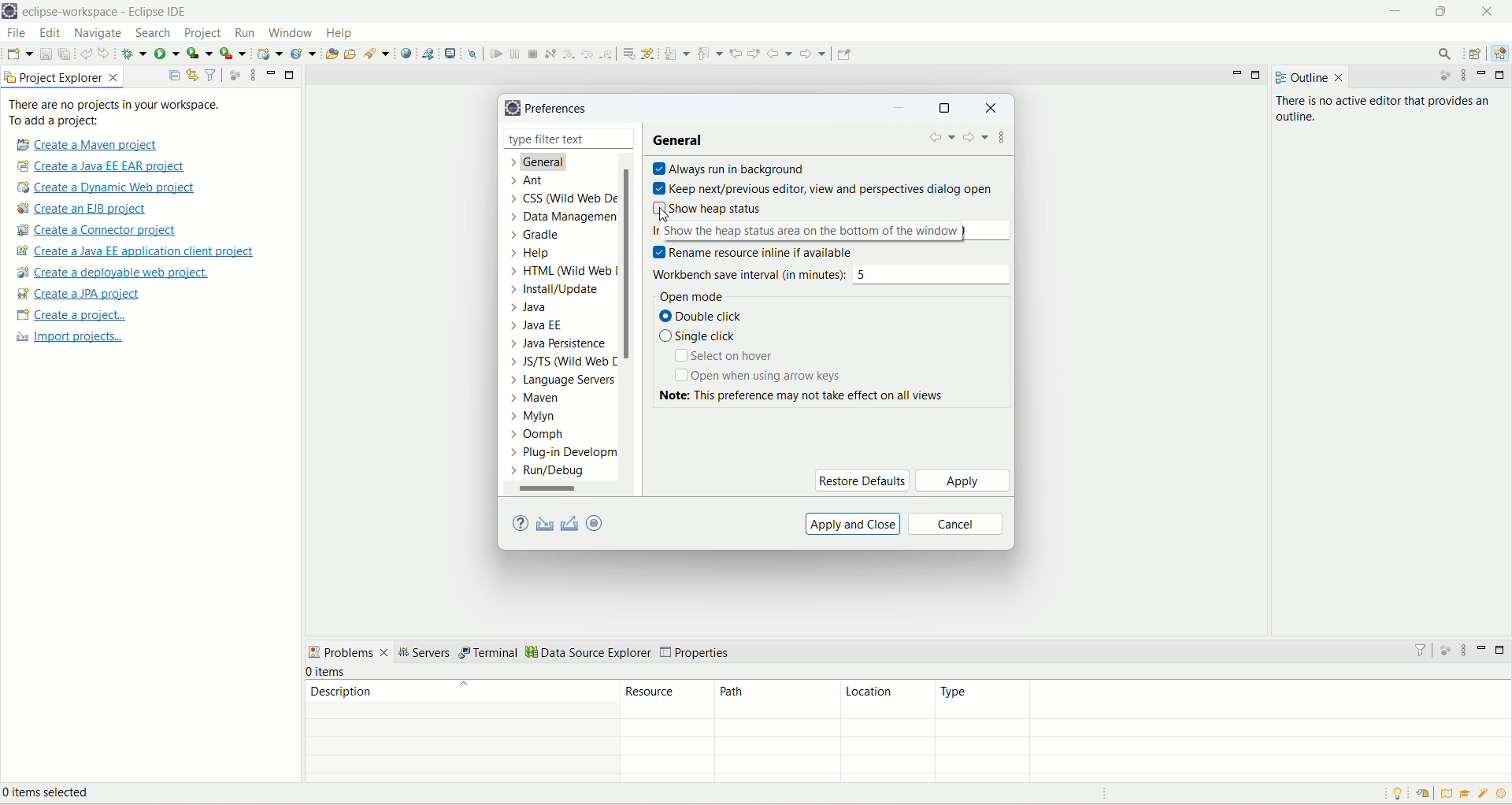 The image size is (1512, 805). I want to click on There is no active editor that provides outline., so click(1388, 110).